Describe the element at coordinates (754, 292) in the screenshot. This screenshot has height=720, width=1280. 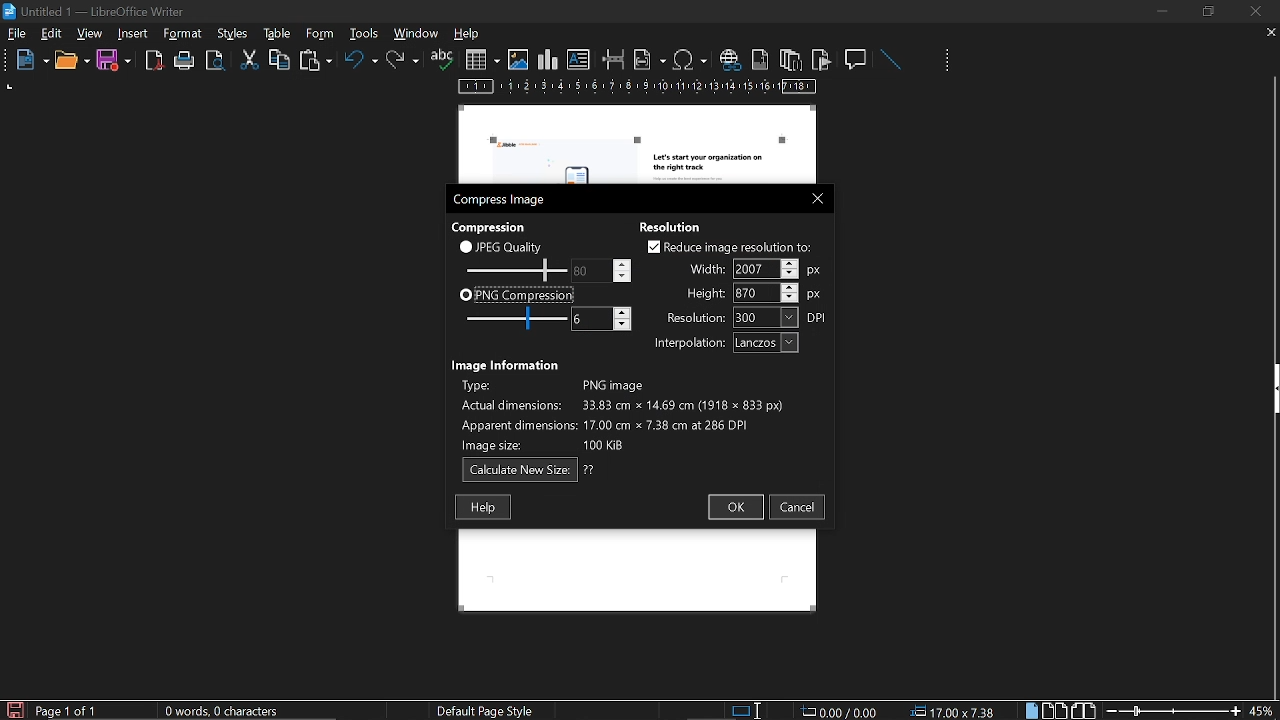
I see `height` at that location.